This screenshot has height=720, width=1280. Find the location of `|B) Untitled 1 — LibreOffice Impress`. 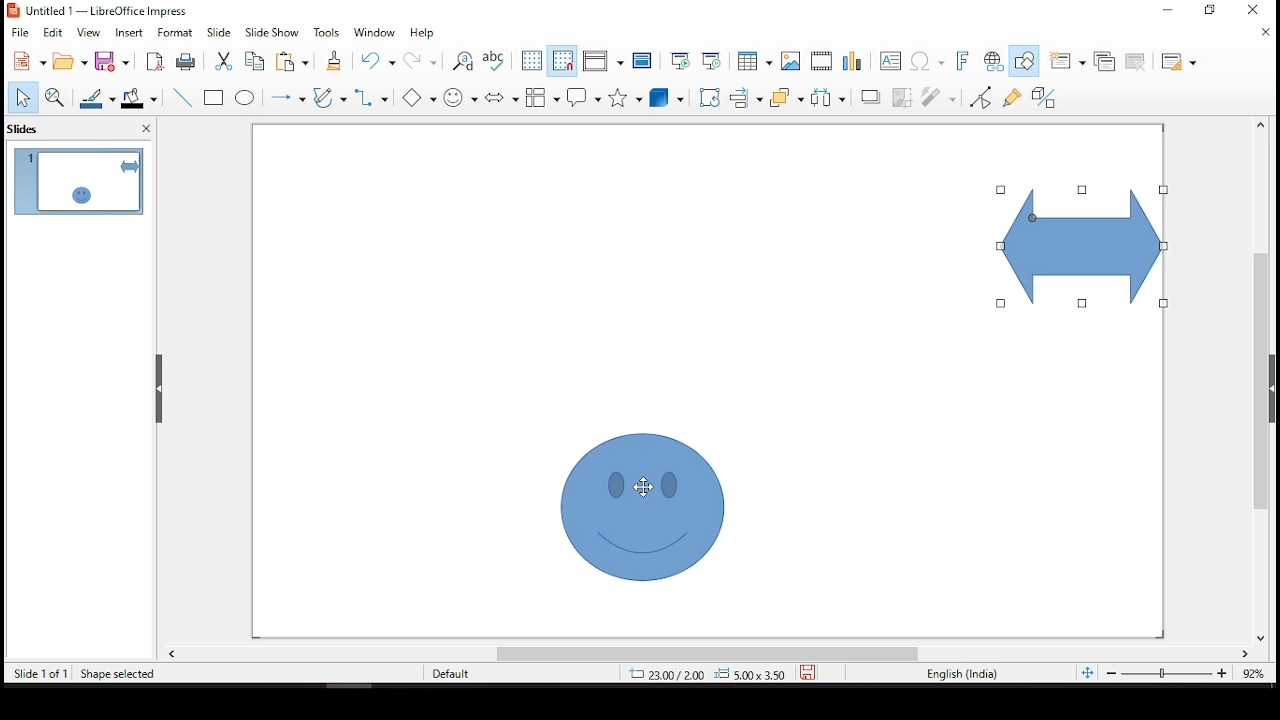

|B) Untitled 1 — LibreOffice Impress is located at coordinates (98, 11).